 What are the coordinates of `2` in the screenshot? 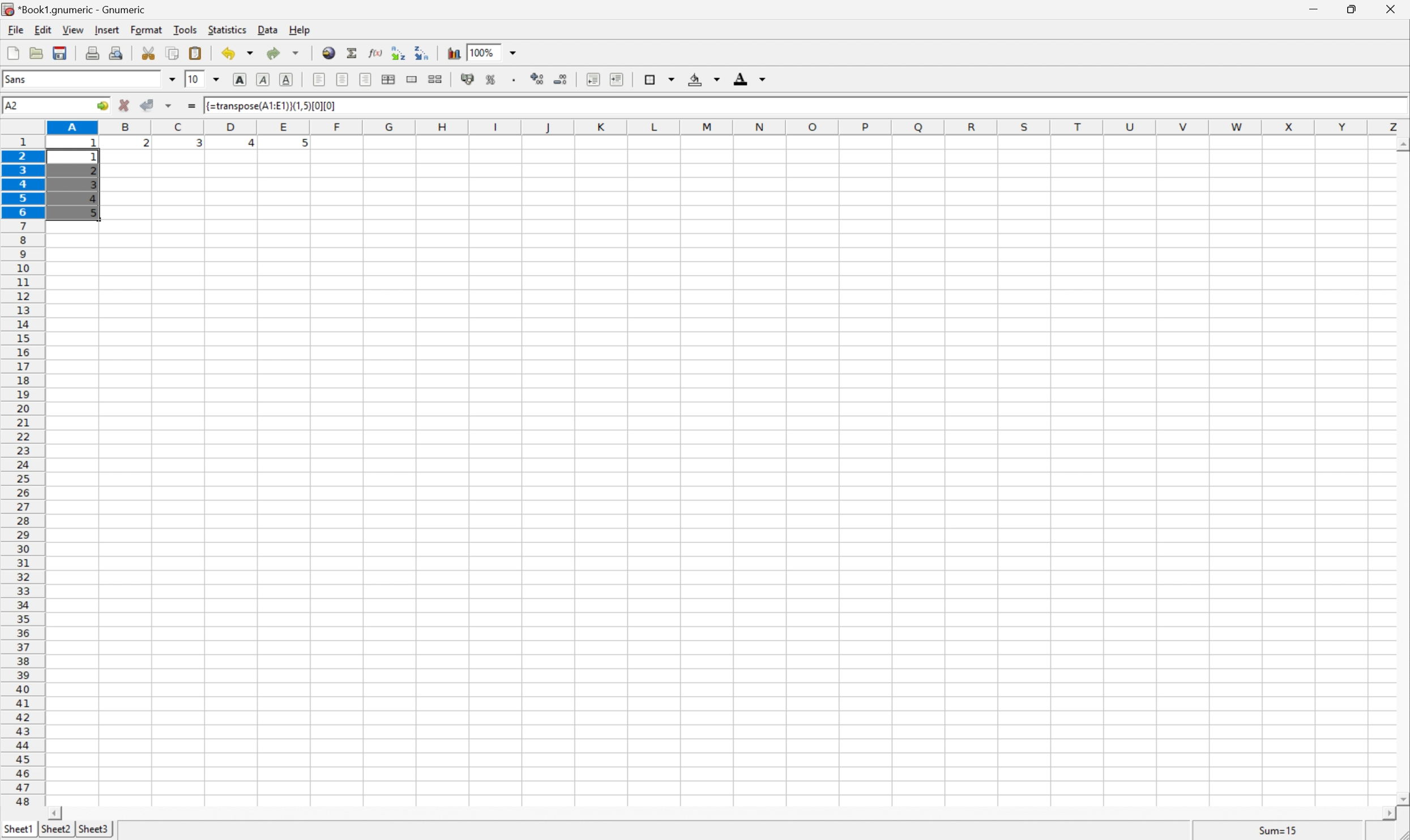 It's located at (146, 145).